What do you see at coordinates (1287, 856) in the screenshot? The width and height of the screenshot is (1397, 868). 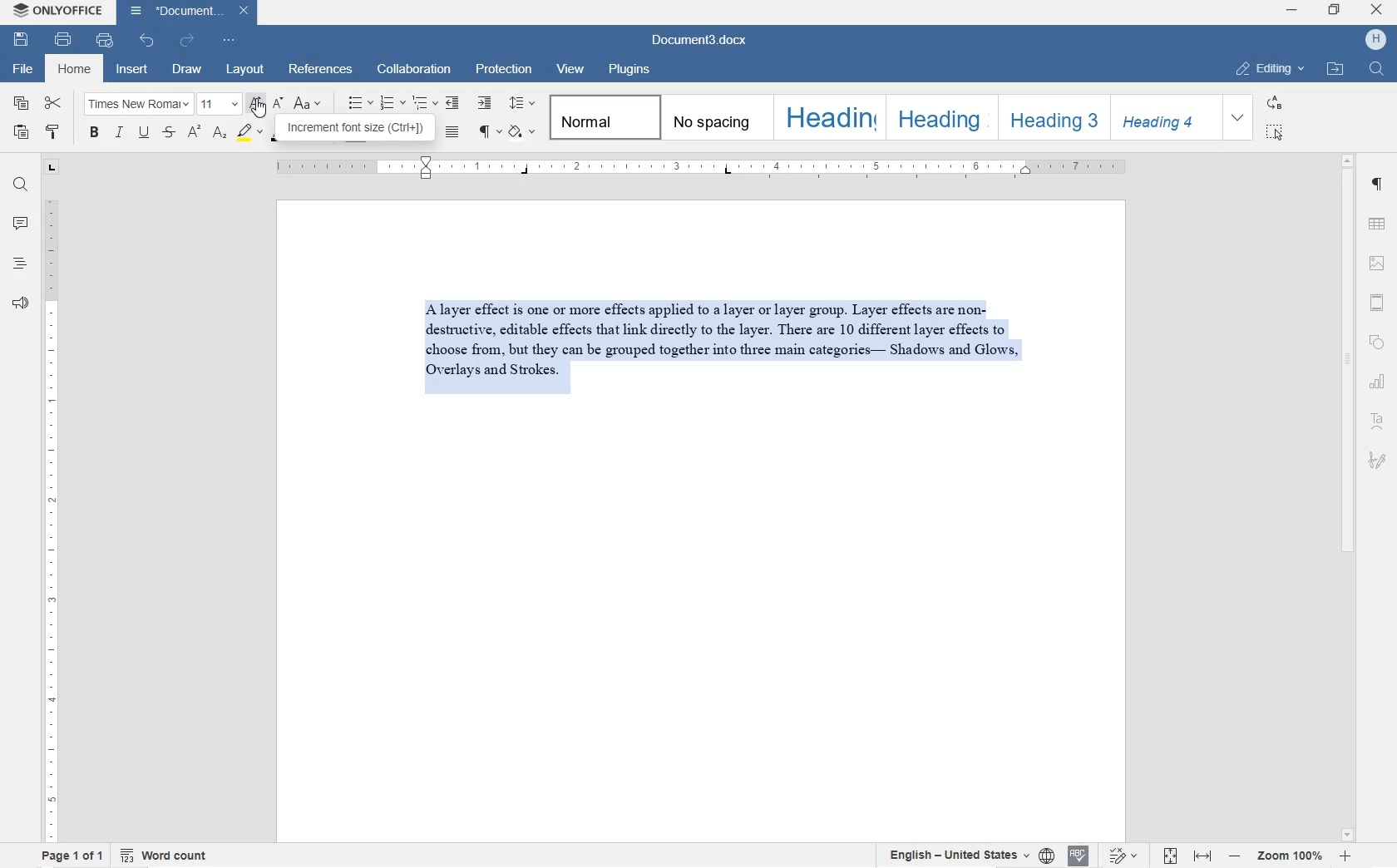 I see `zoom out or in` at bounding box center [1287, 856].